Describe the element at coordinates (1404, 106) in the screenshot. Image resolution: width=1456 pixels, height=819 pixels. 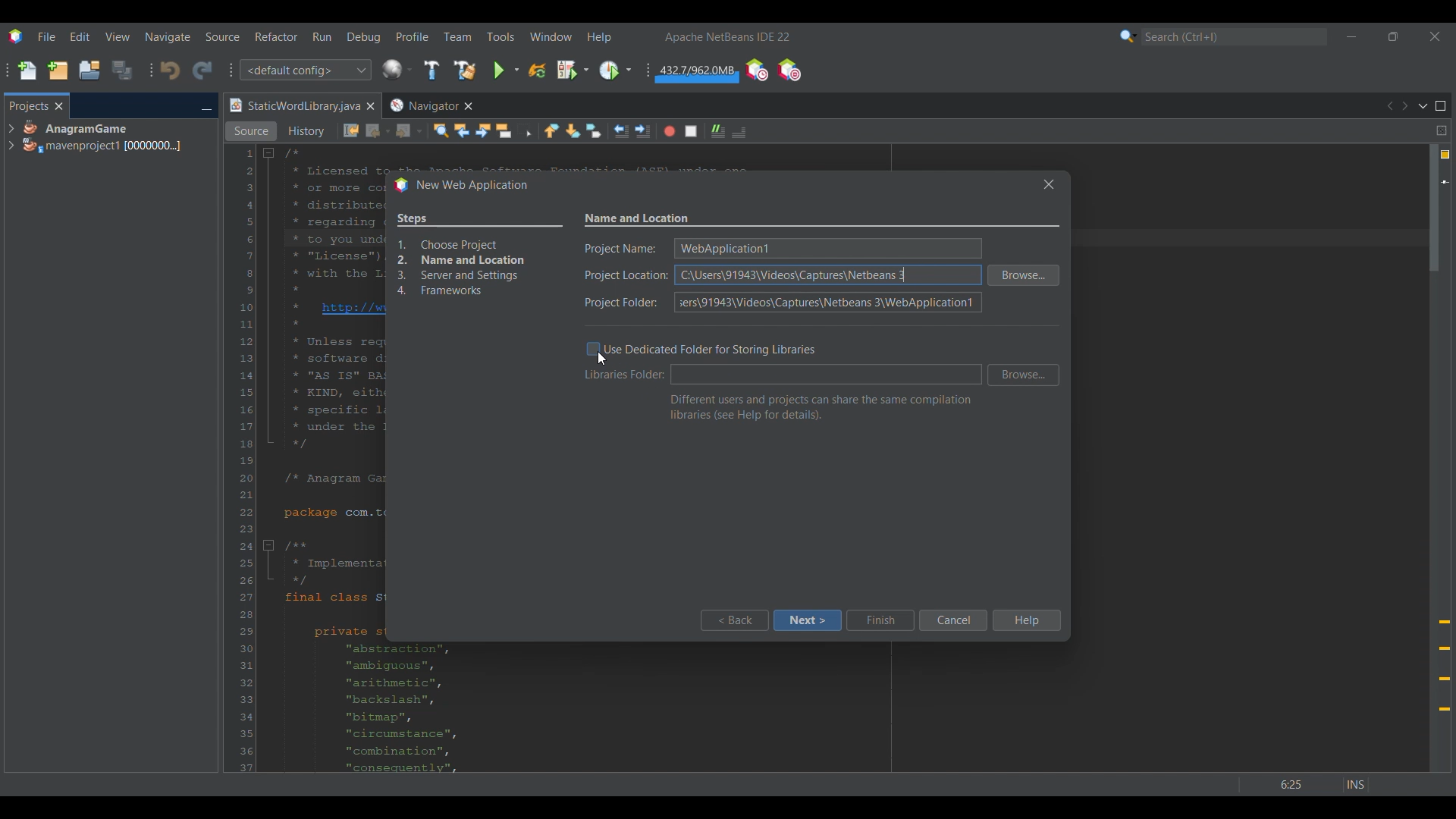
I see `Next` at that location.